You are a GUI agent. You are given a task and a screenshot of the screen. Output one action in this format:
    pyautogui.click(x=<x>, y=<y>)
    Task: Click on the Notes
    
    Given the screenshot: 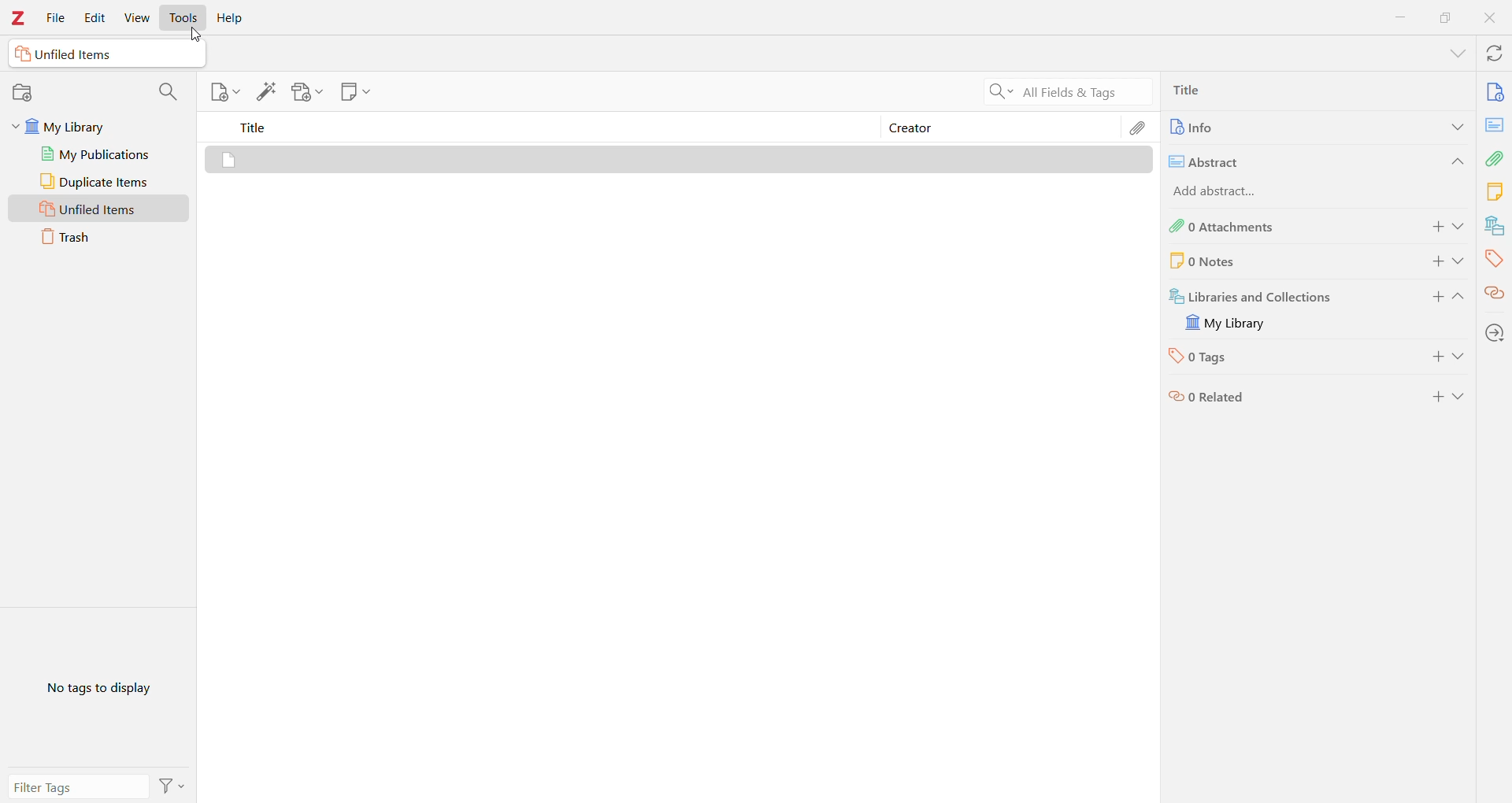 What is the action you would take?
    pyautogui.click(x=1496, y=192)
    